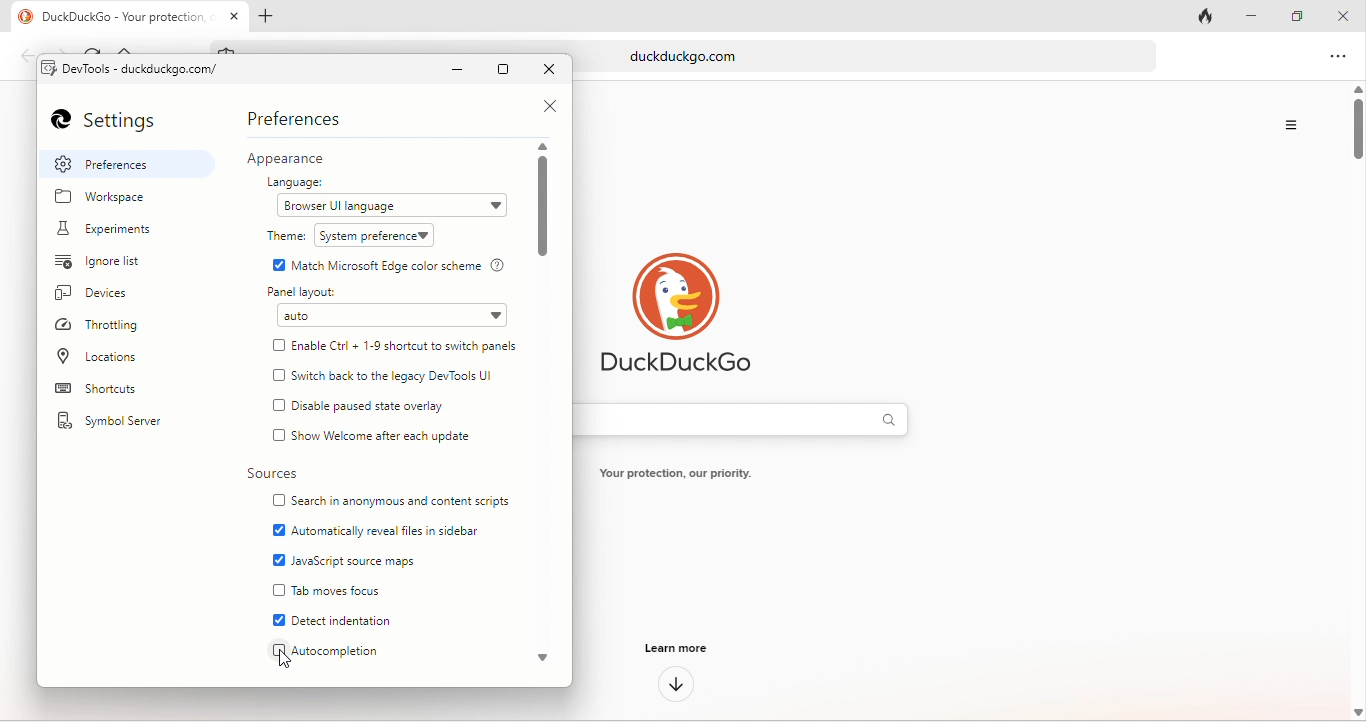 This screenshot has width=1366, height=722. I want to click on panel layout, so click(311, 292).